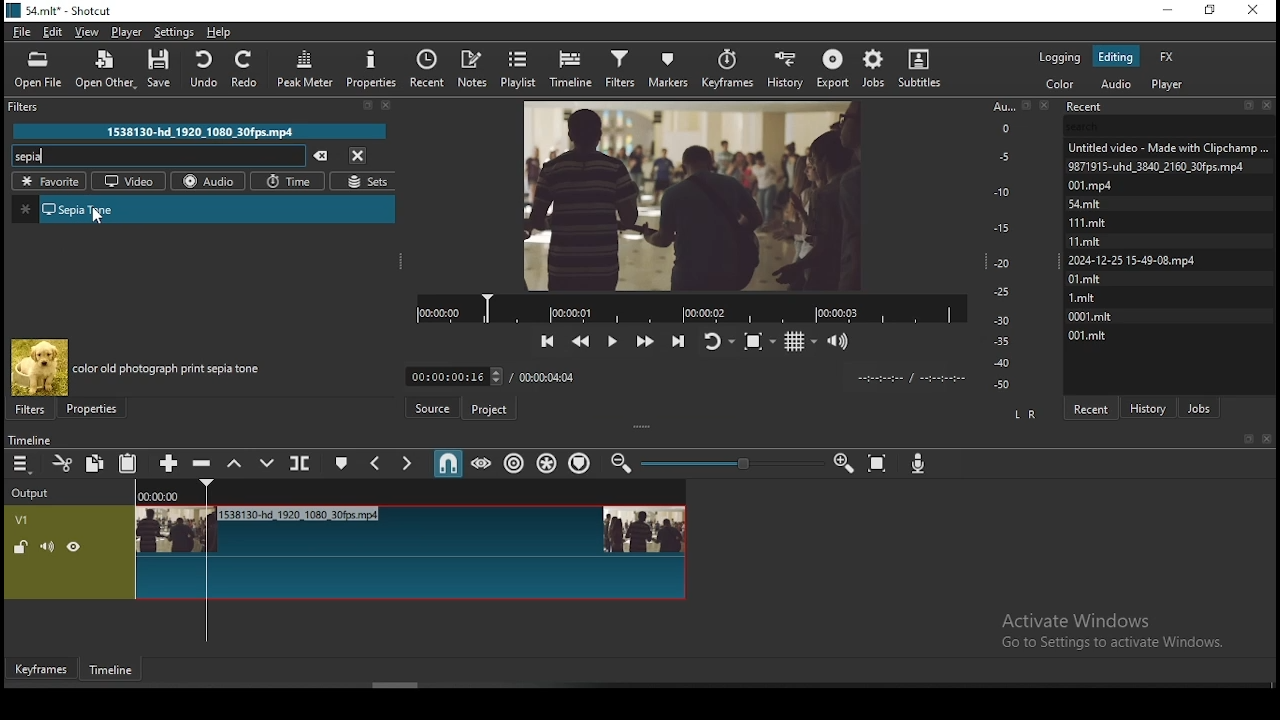 This screenshot has height=720, width=1280. What do you see at coordinates (1197, 406) in the screenshot?
I see `jobs` at bounding box center [1197, 406].